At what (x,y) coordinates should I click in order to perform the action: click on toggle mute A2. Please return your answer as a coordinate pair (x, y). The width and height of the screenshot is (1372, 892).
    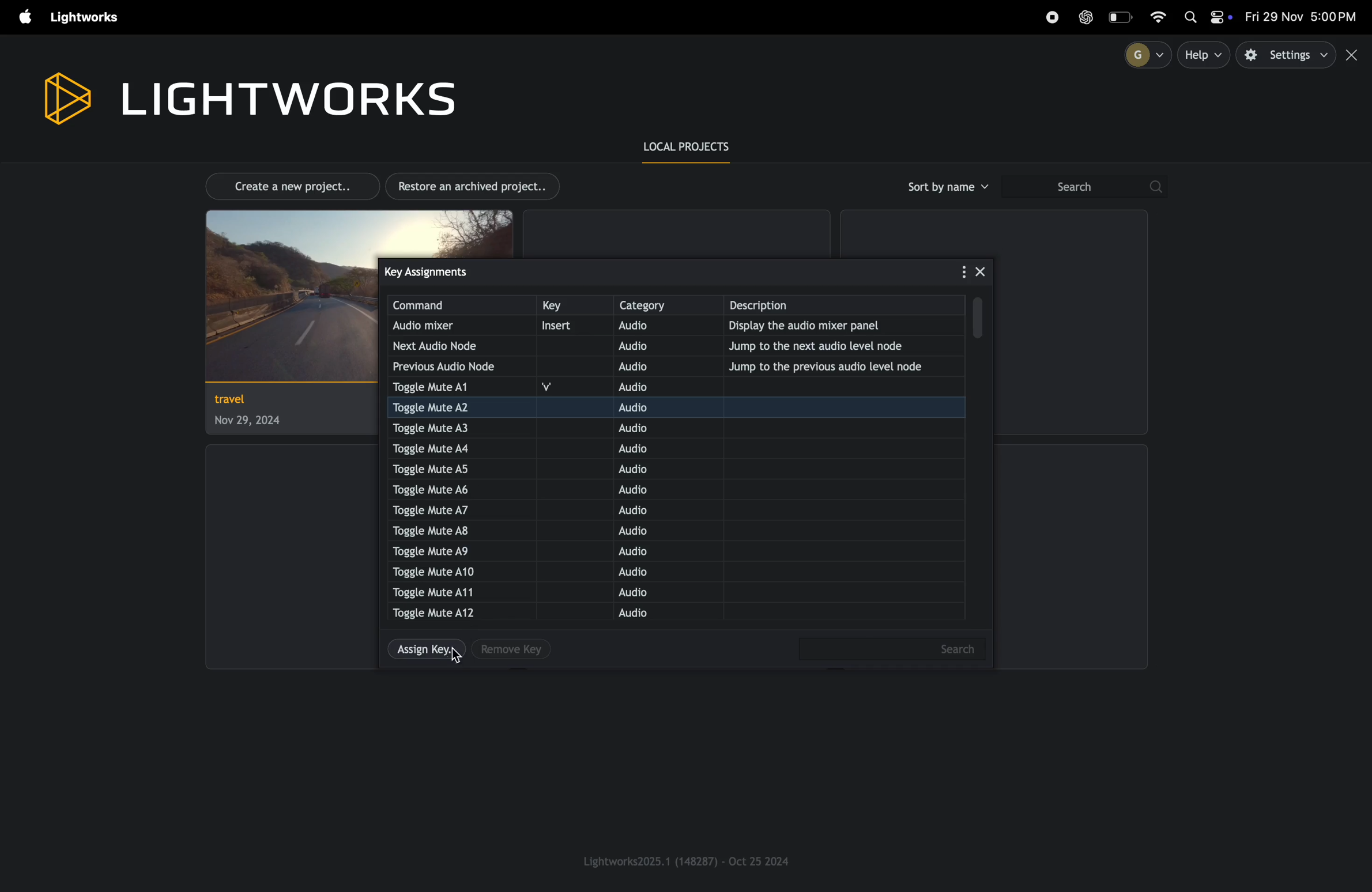
    Looking at the image, I should click on (461, 407).